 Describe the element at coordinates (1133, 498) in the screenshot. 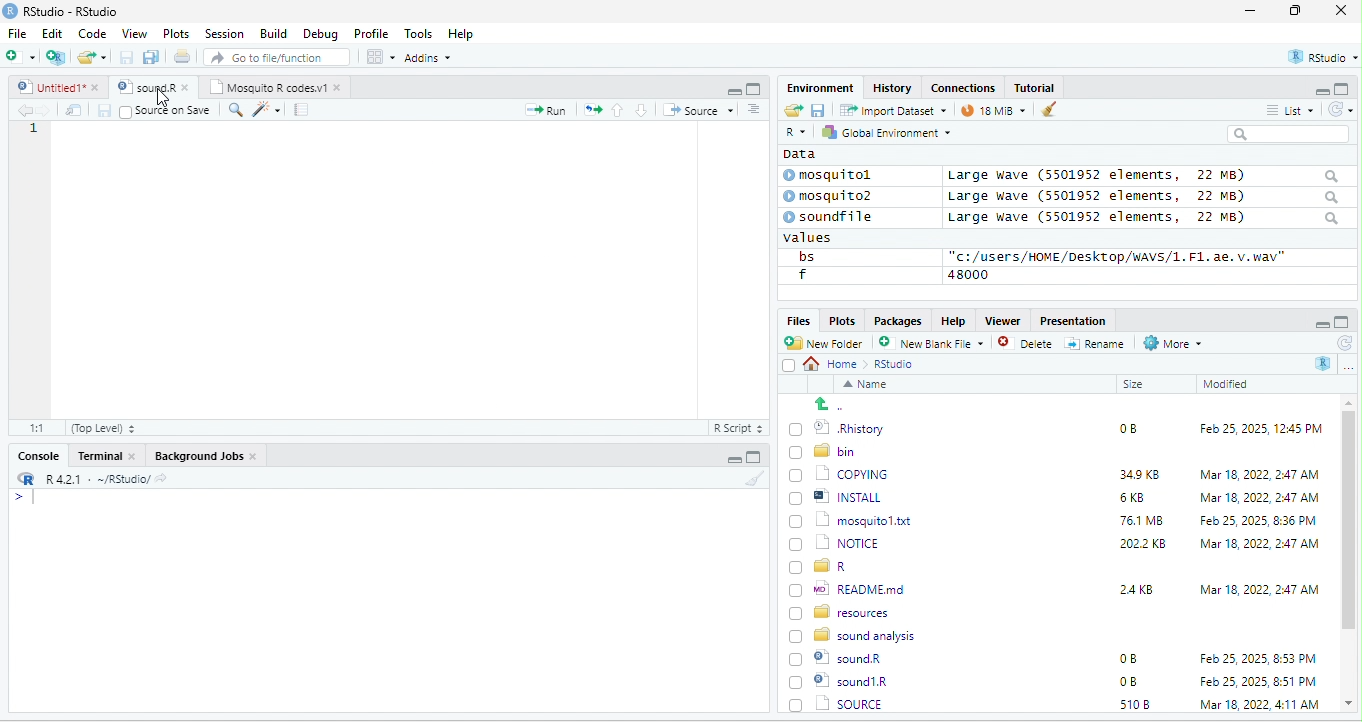

I see `6KB` at that location.